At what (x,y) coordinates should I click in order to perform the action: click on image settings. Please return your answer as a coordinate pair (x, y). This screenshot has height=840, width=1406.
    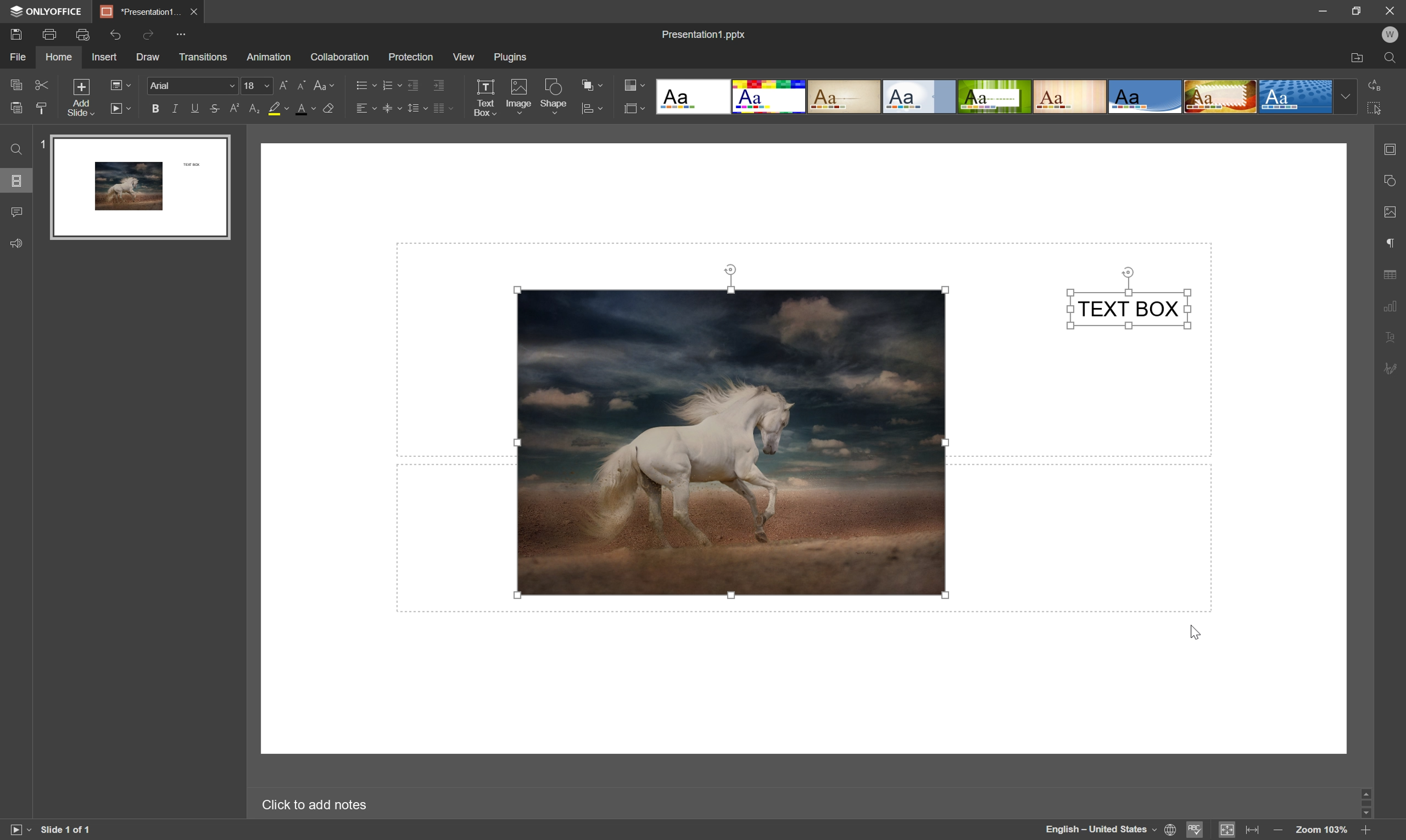
    Looking at the image, I should click on (1391, 213).